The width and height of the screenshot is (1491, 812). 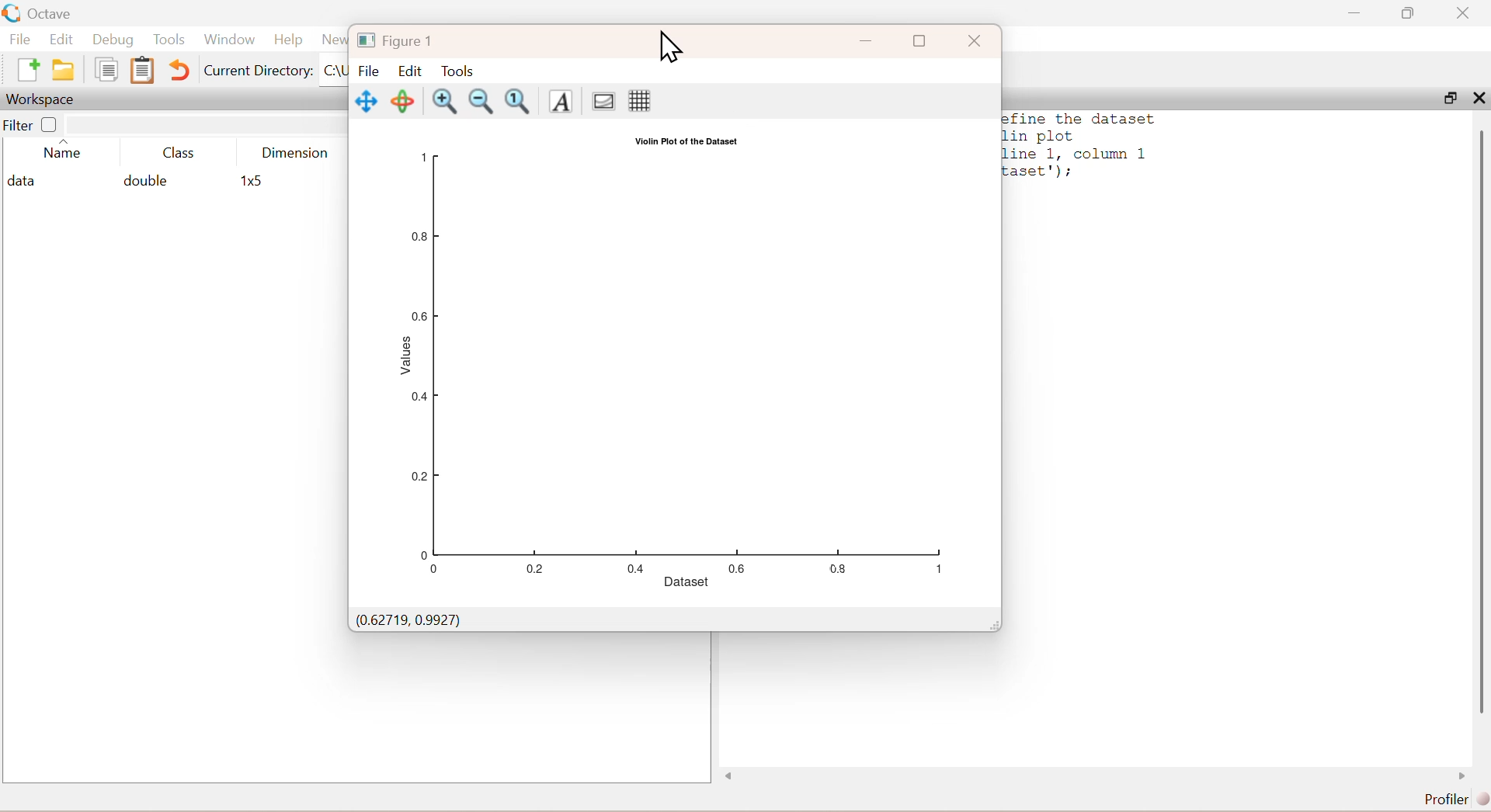 What do you see at coordinates (1462, 776) in the screenshot?
I see `scroll right` at bounding box center [1462, 776].